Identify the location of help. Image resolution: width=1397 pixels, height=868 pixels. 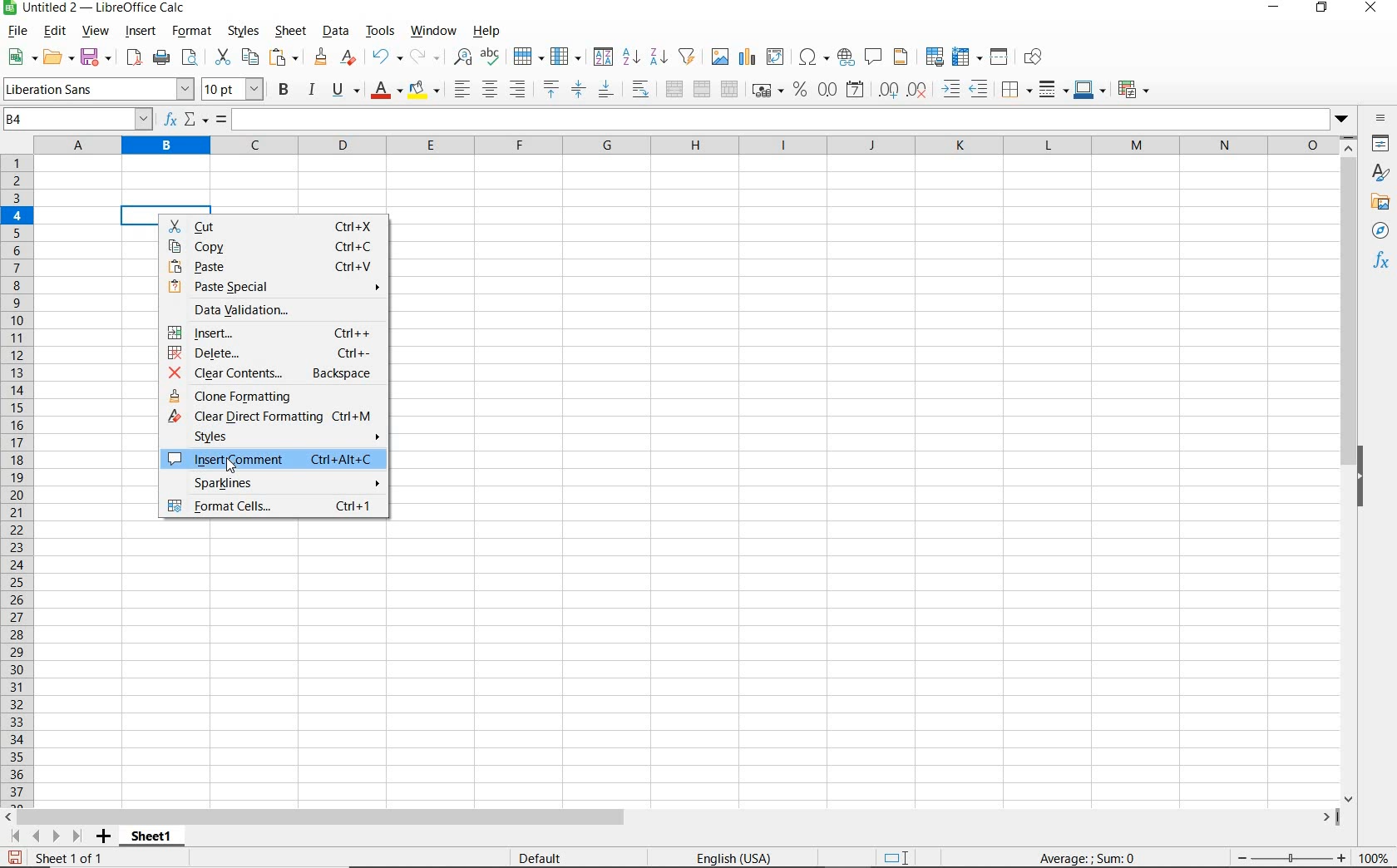
(484, 32).